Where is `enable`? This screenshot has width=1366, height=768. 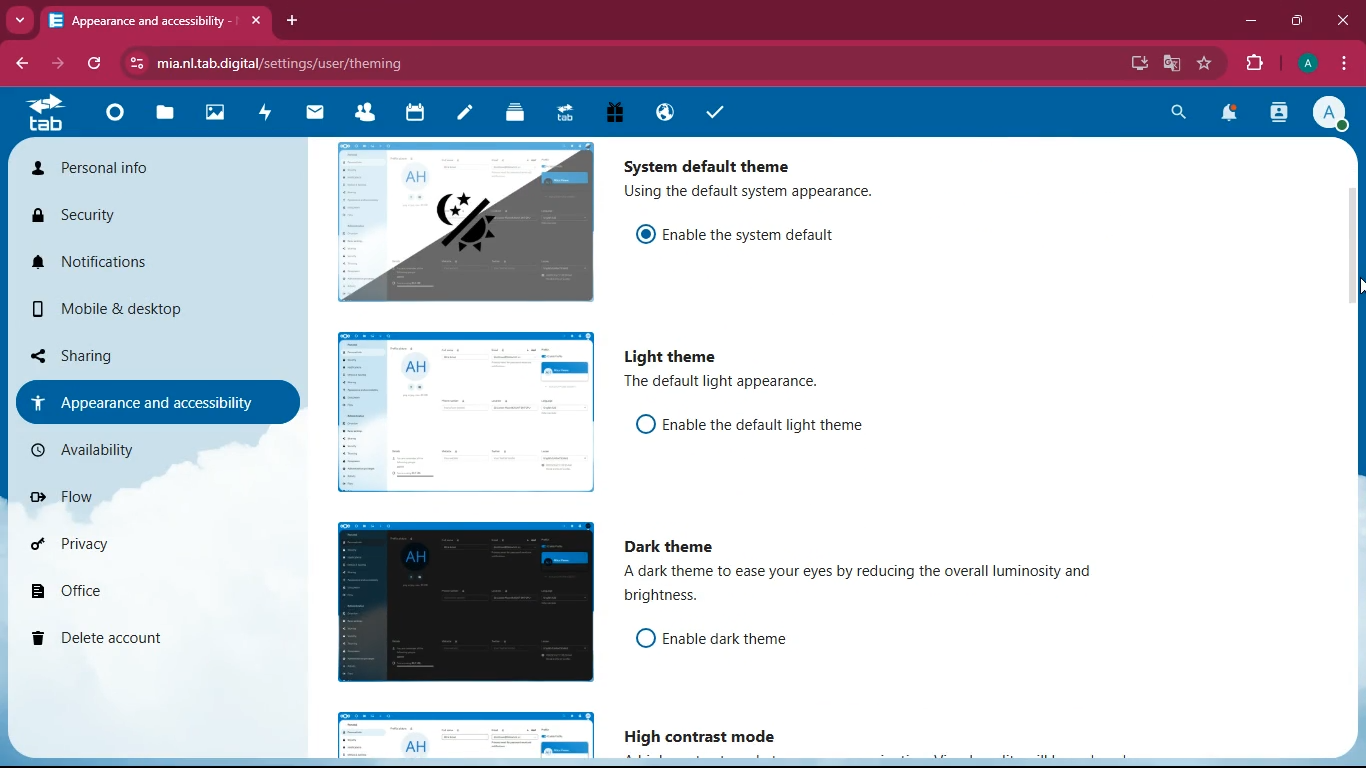 enable is located at coordinates (773, 426).